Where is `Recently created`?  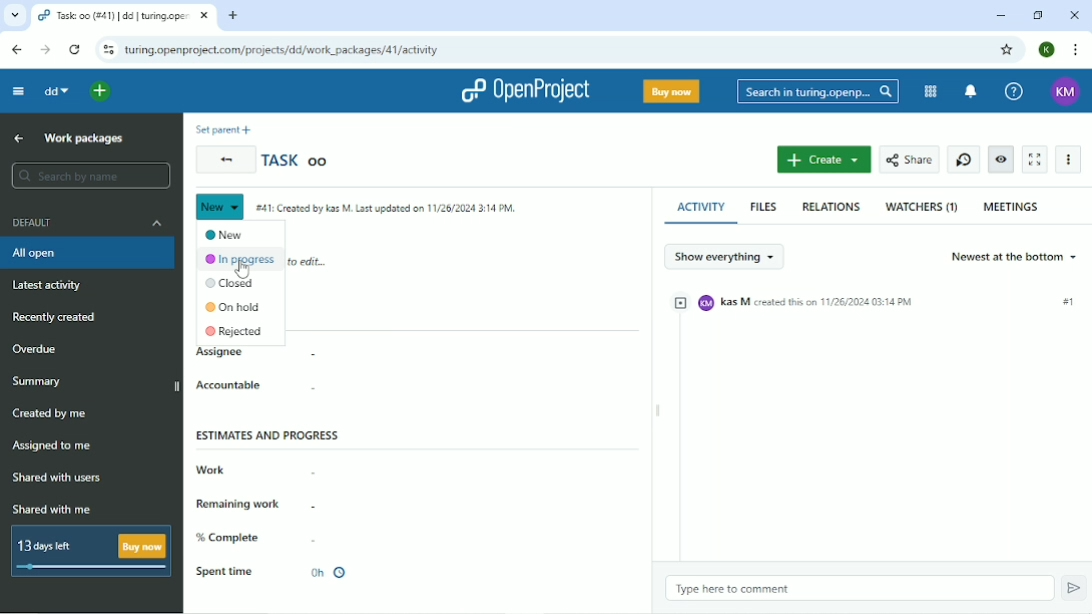 Recently created is located at coordinates (60, 318).